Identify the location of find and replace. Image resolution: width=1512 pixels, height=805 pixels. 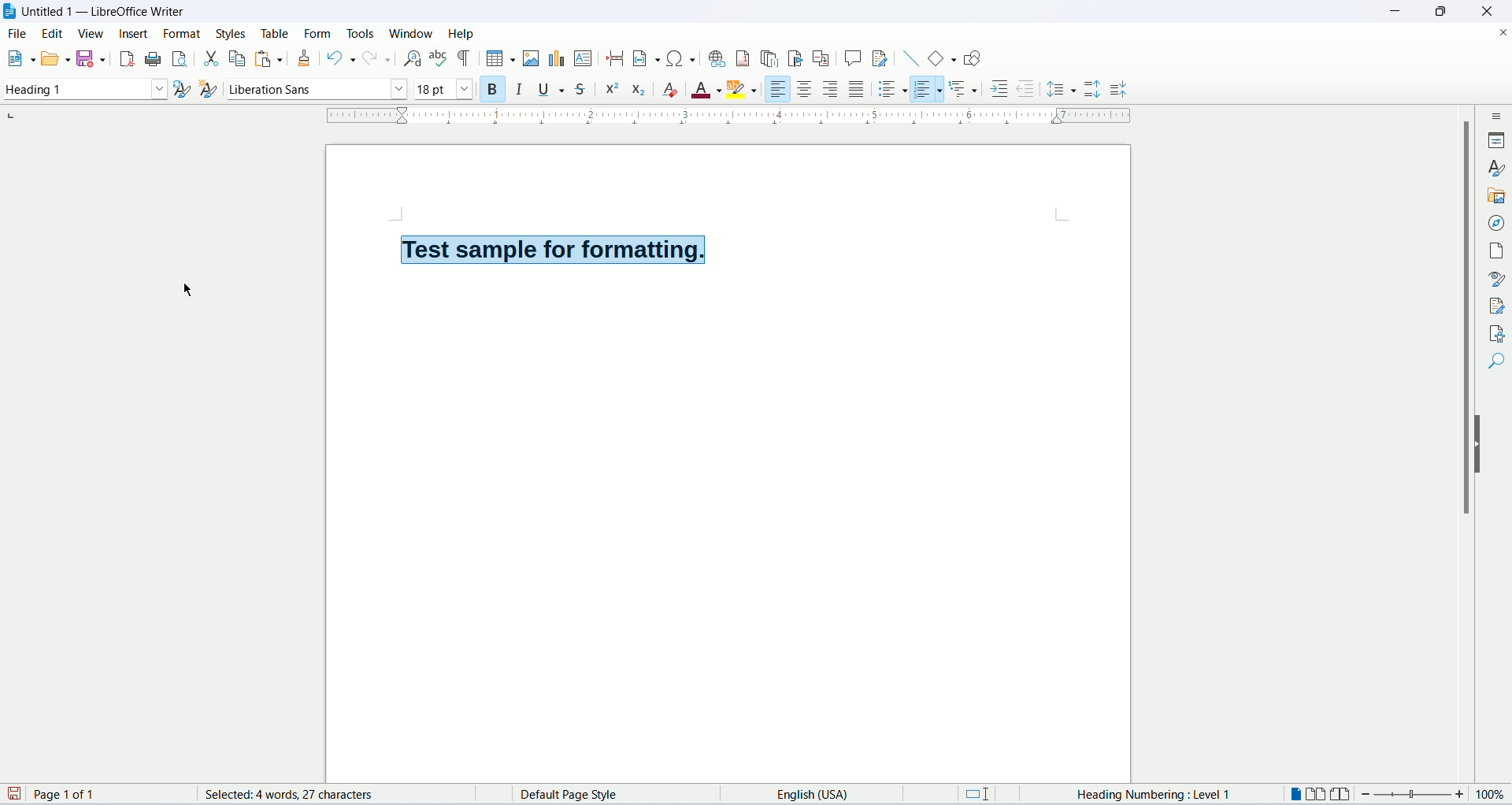
(409, 58).